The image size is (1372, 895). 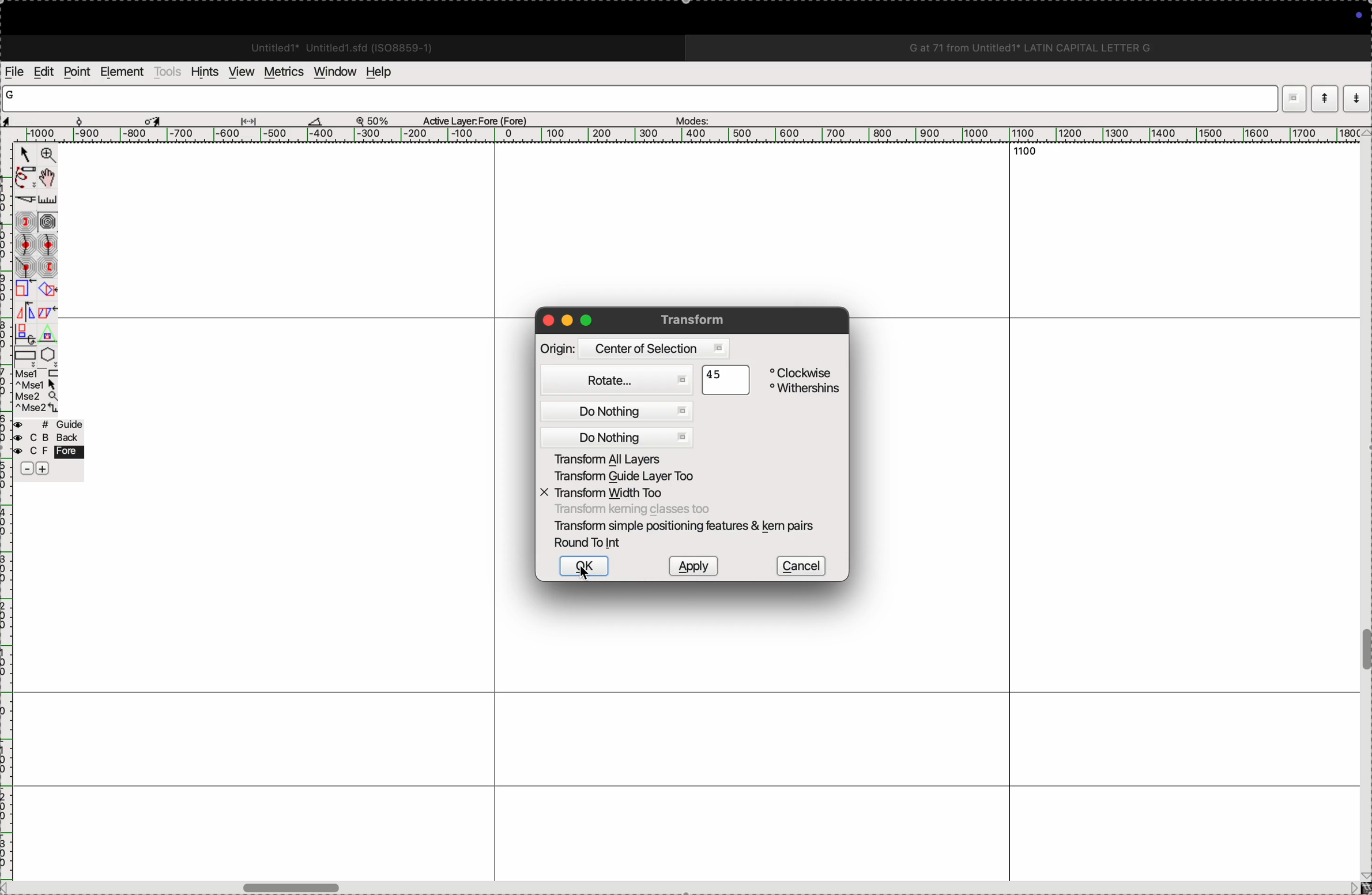 I want to click on mouse wheel button + Ctrl, so click(x=37, y=409).